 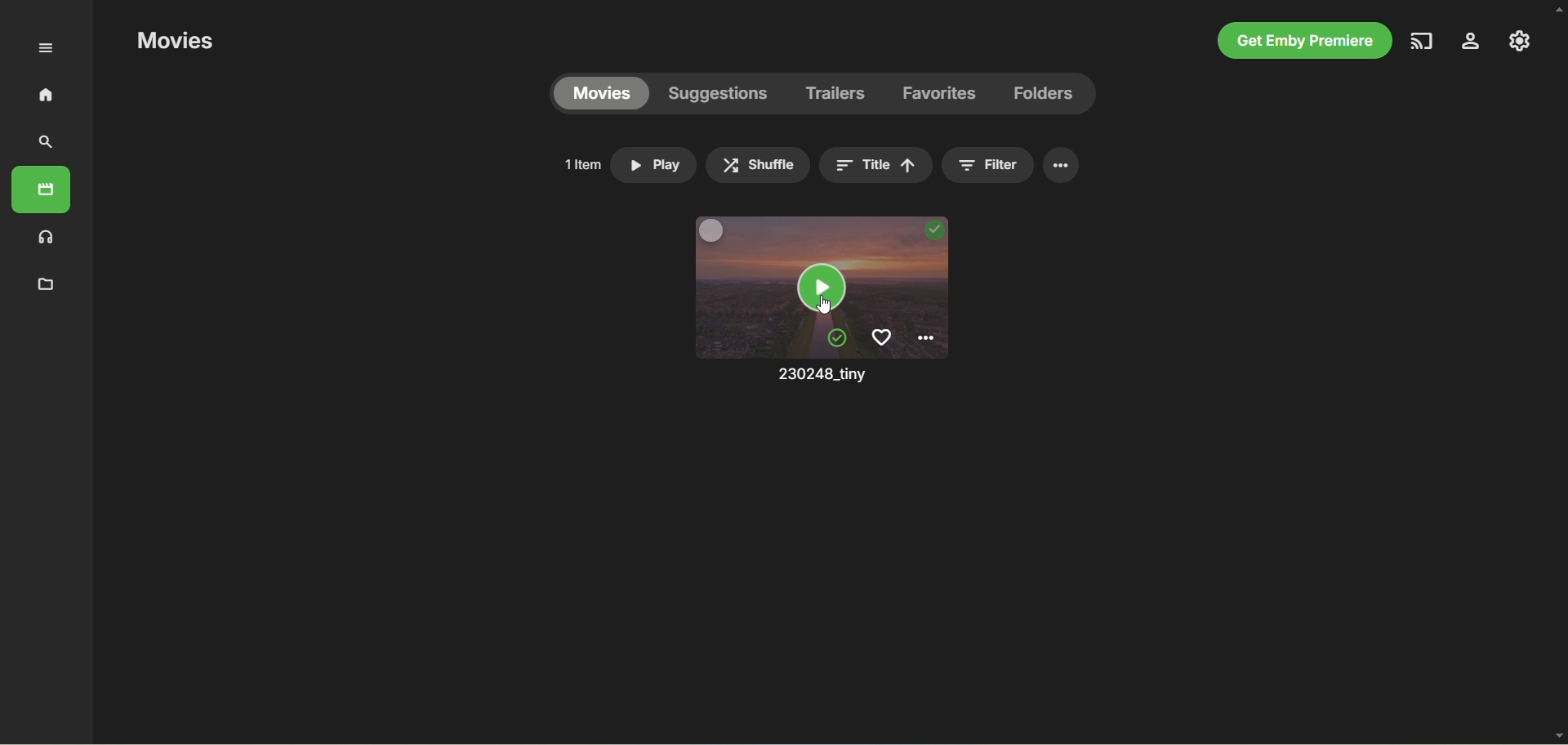 What do you see at coordinates (717, 96) in the screenshot?
I see `suggestions` at bounding box center [717, 96].